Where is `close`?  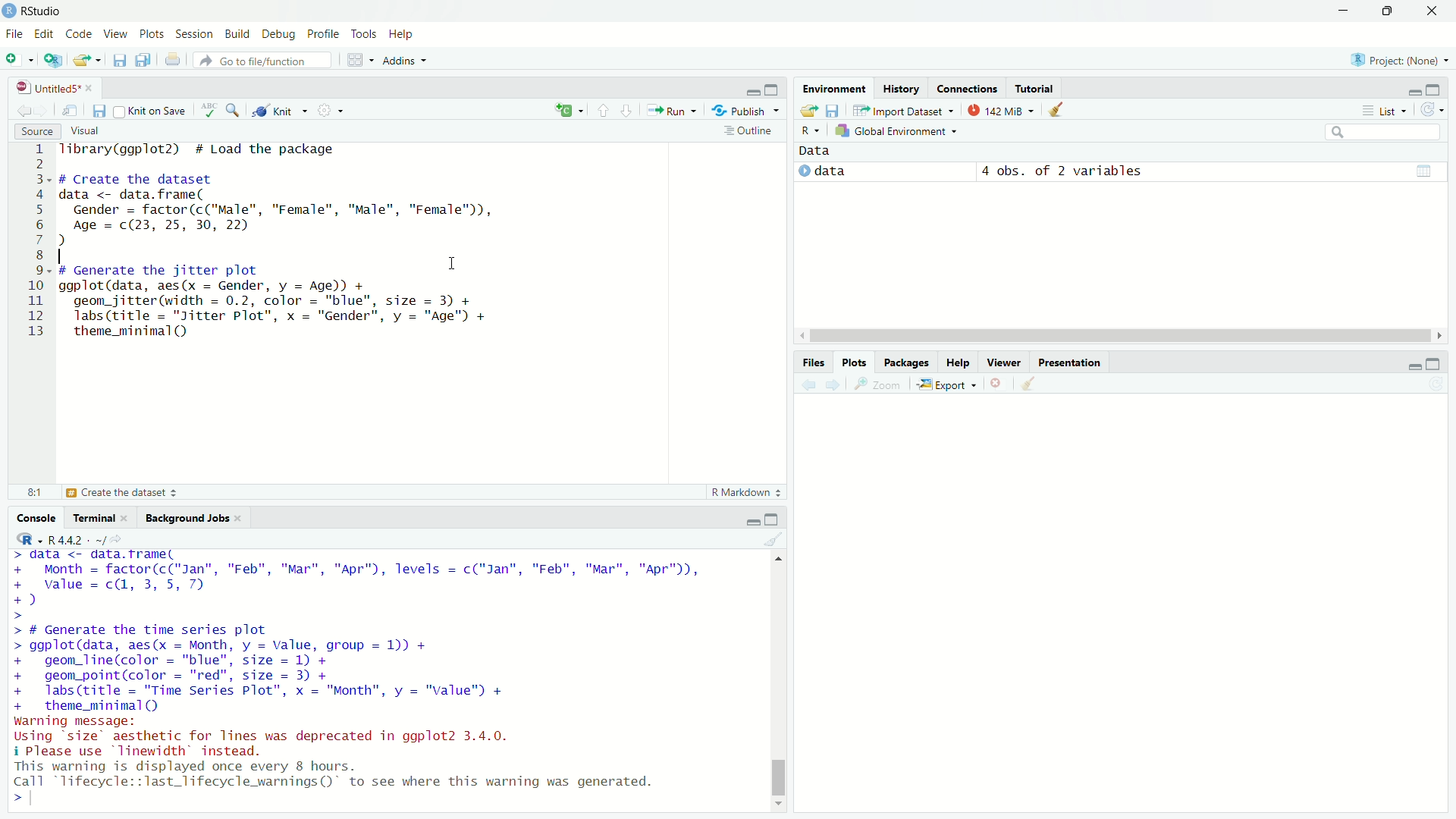
close is located at coordinates (129, 517).